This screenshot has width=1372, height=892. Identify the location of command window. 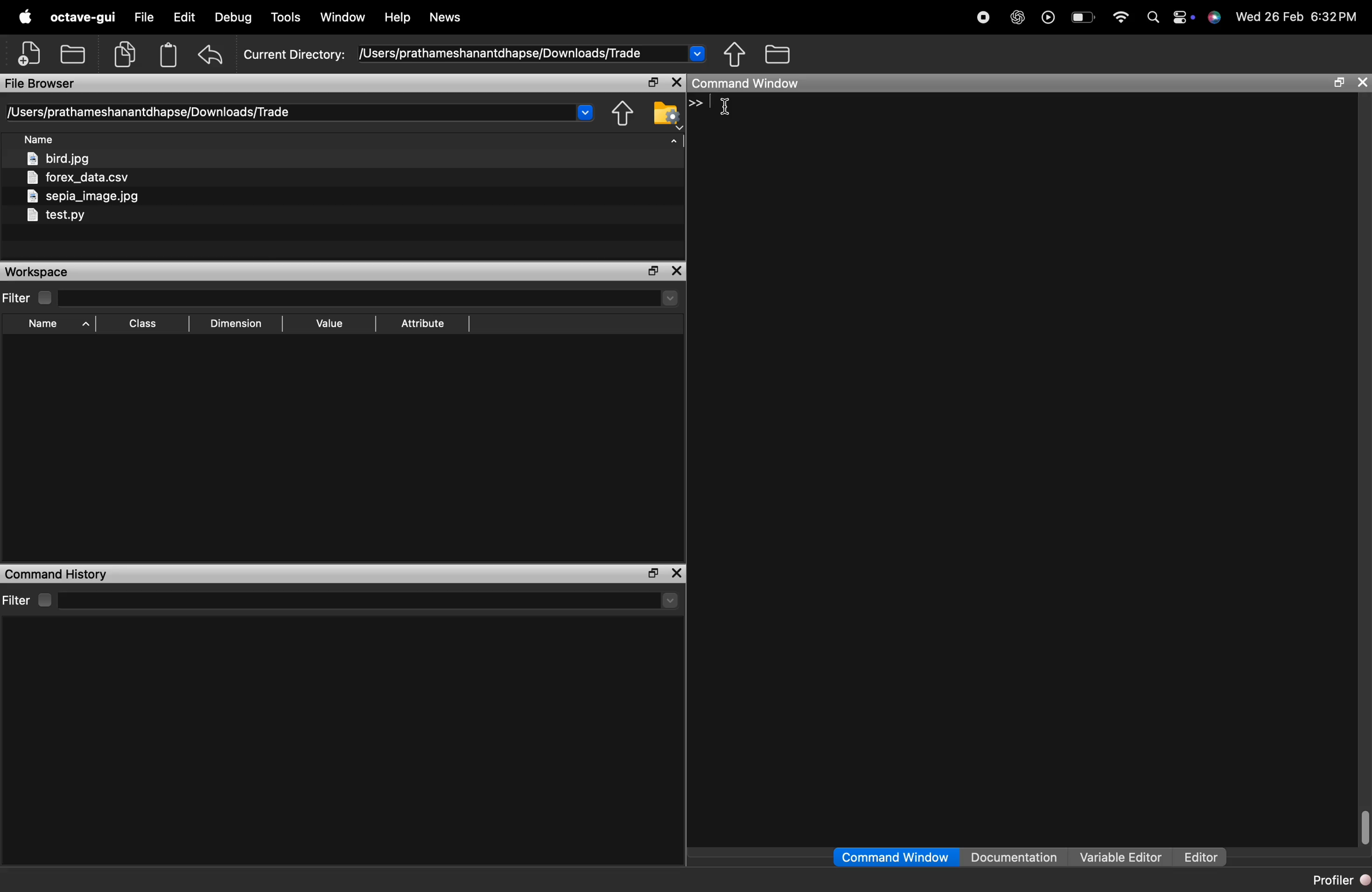
(753, 84).